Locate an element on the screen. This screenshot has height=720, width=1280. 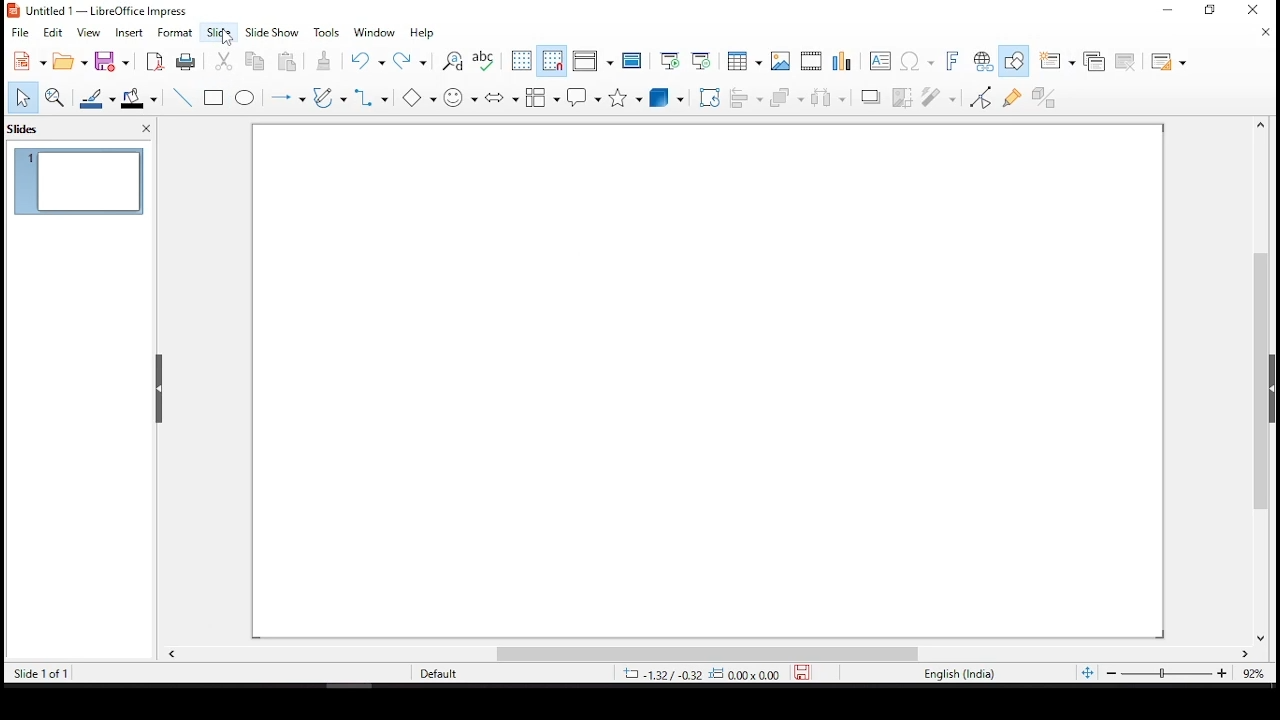
curves and polygons is located at coordinates (326, 94).